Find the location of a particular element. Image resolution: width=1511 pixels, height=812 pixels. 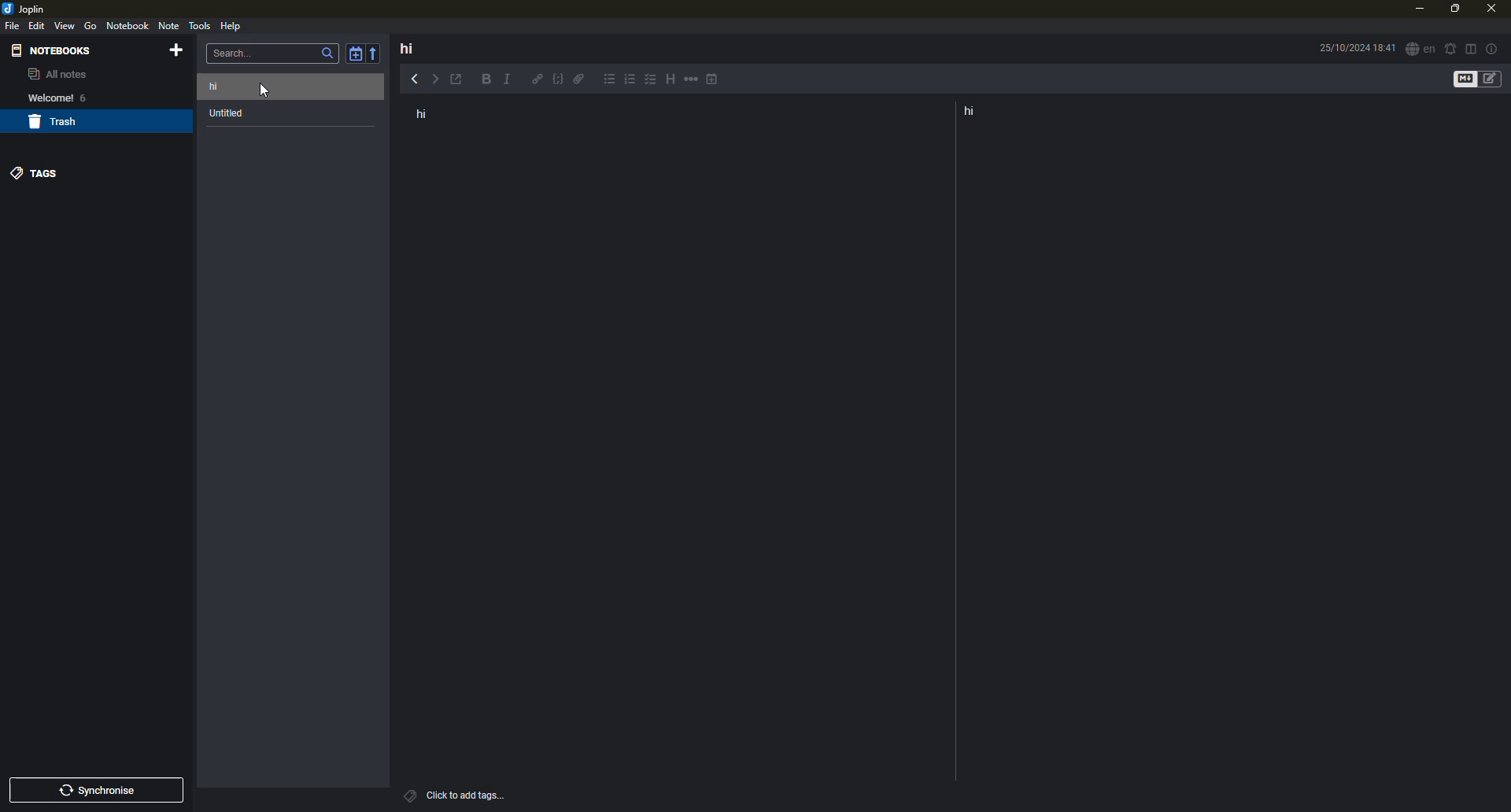

toggle editor layout is located at coordinates (1471, 48).